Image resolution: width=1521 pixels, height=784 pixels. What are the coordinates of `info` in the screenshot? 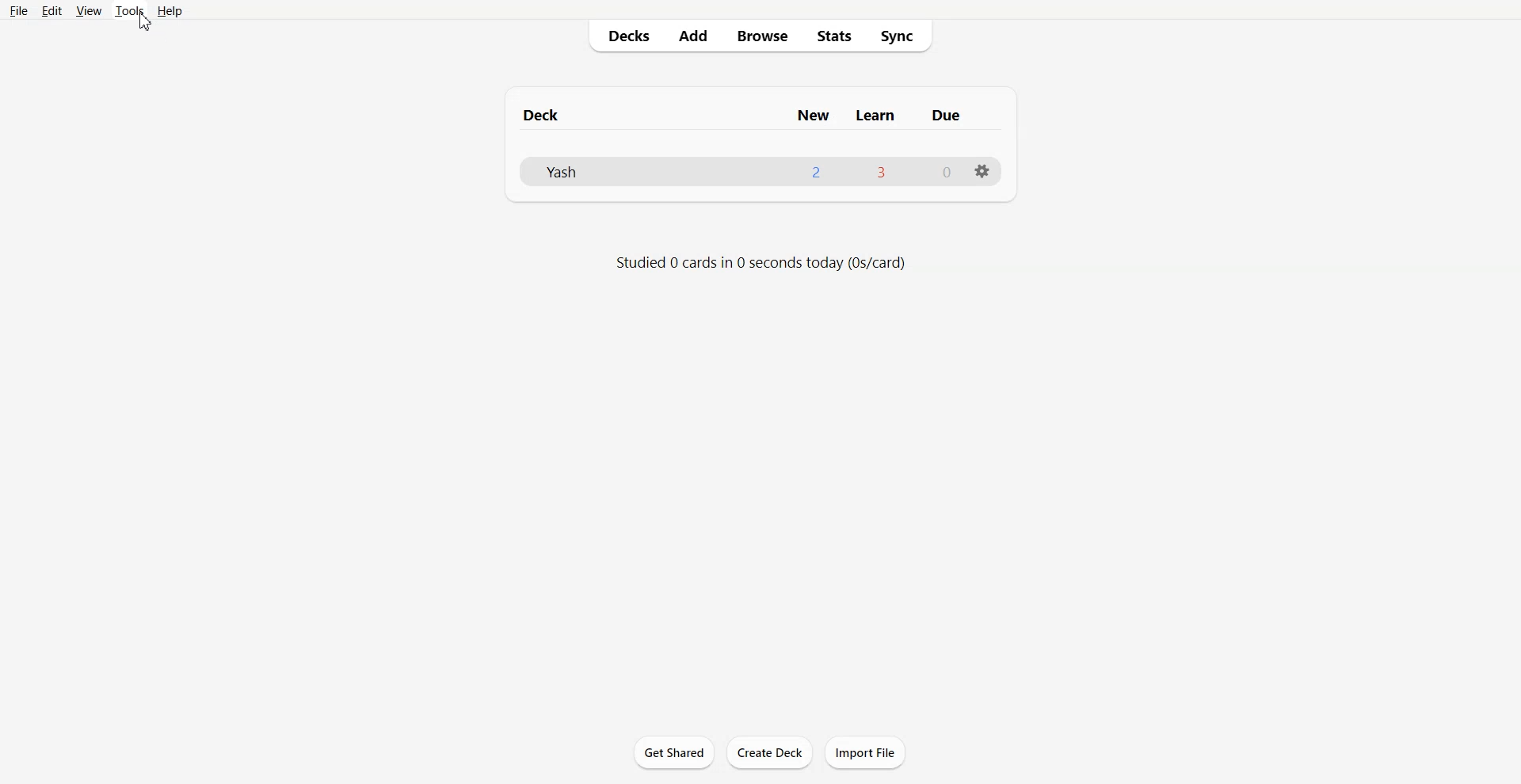 It's located at (763, 262).